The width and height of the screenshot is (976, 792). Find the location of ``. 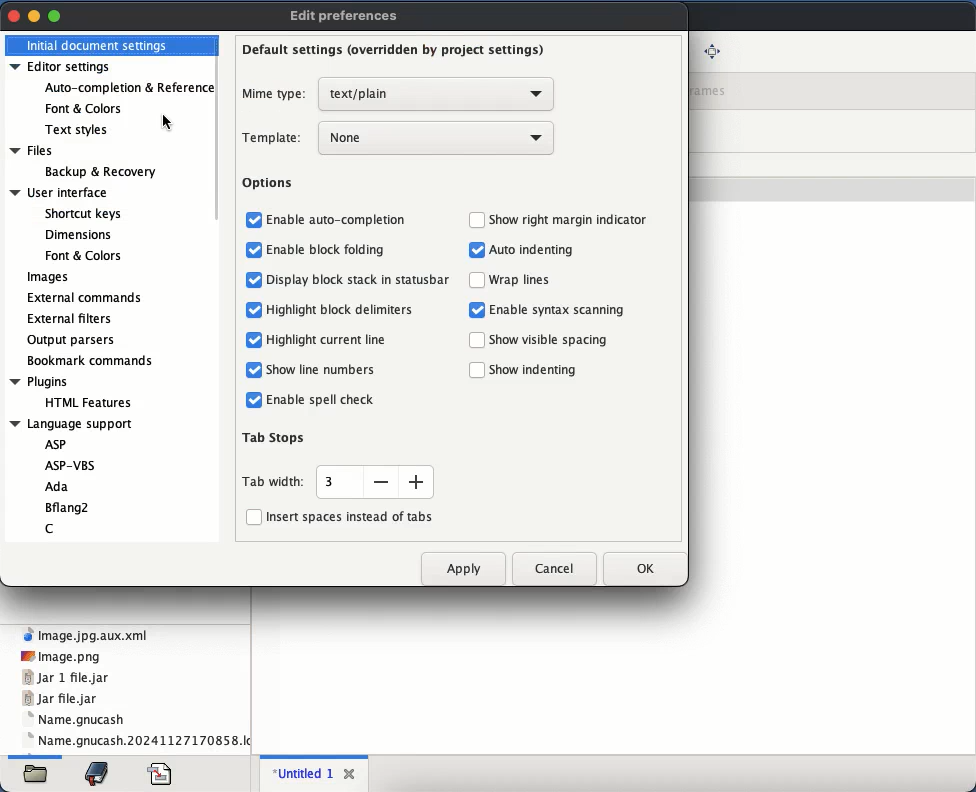

 is located at coordinates (474, 252).